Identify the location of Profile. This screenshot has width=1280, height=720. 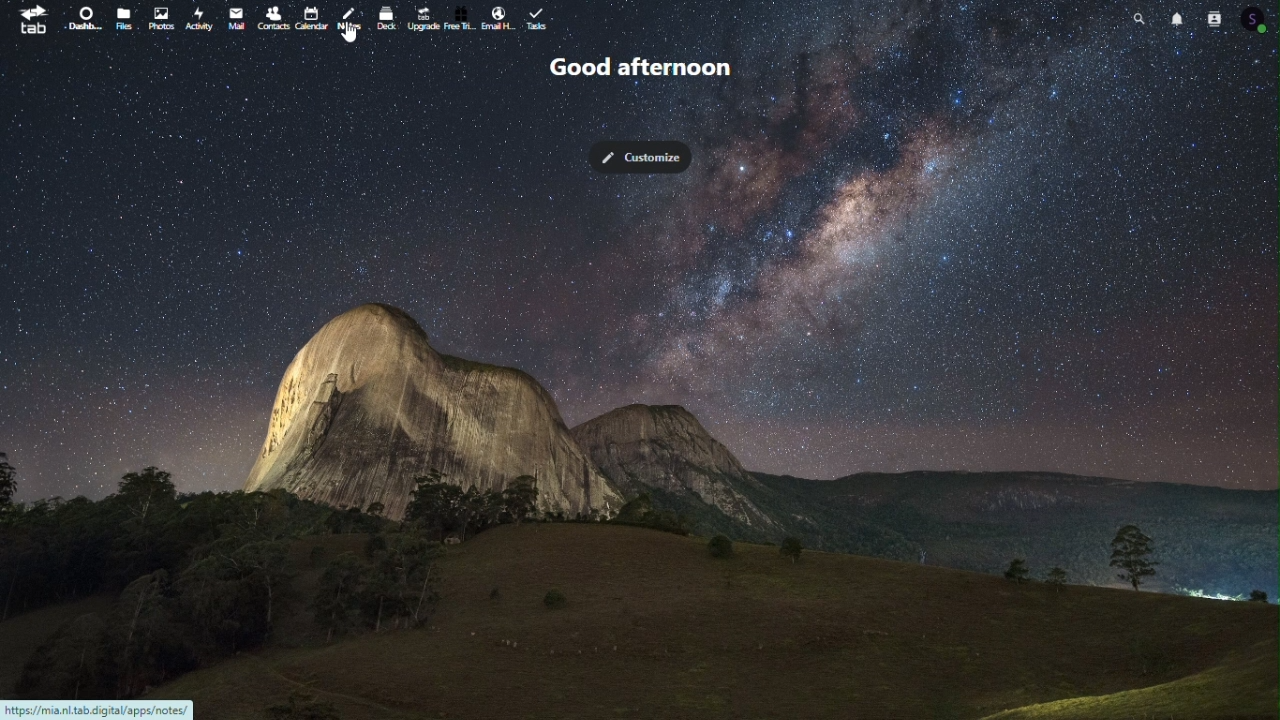
(1259, 17).